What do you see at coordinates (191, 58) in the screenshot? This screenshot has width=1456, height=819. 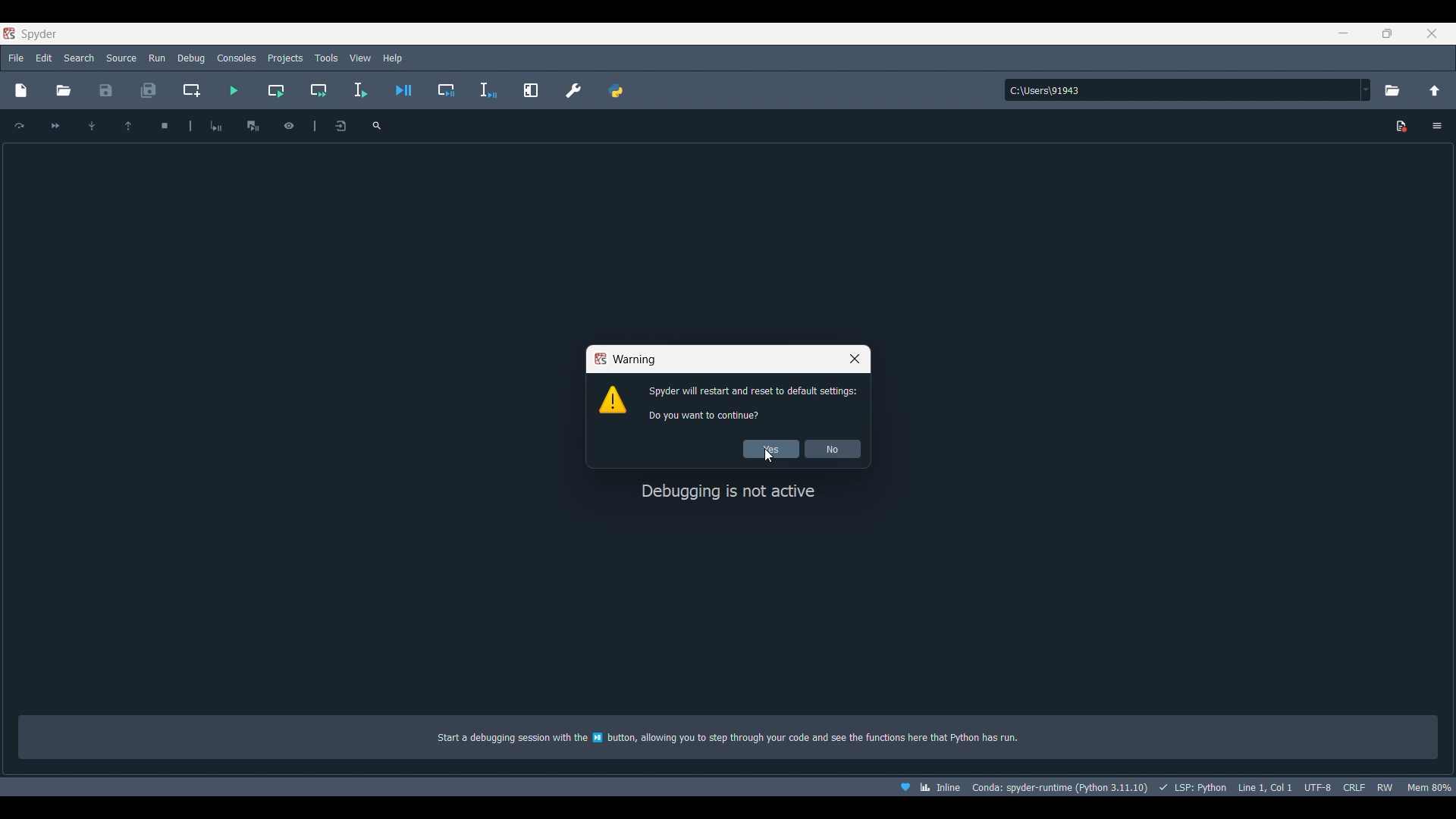 I see `Debug menu` at bounding box center [191, 58].